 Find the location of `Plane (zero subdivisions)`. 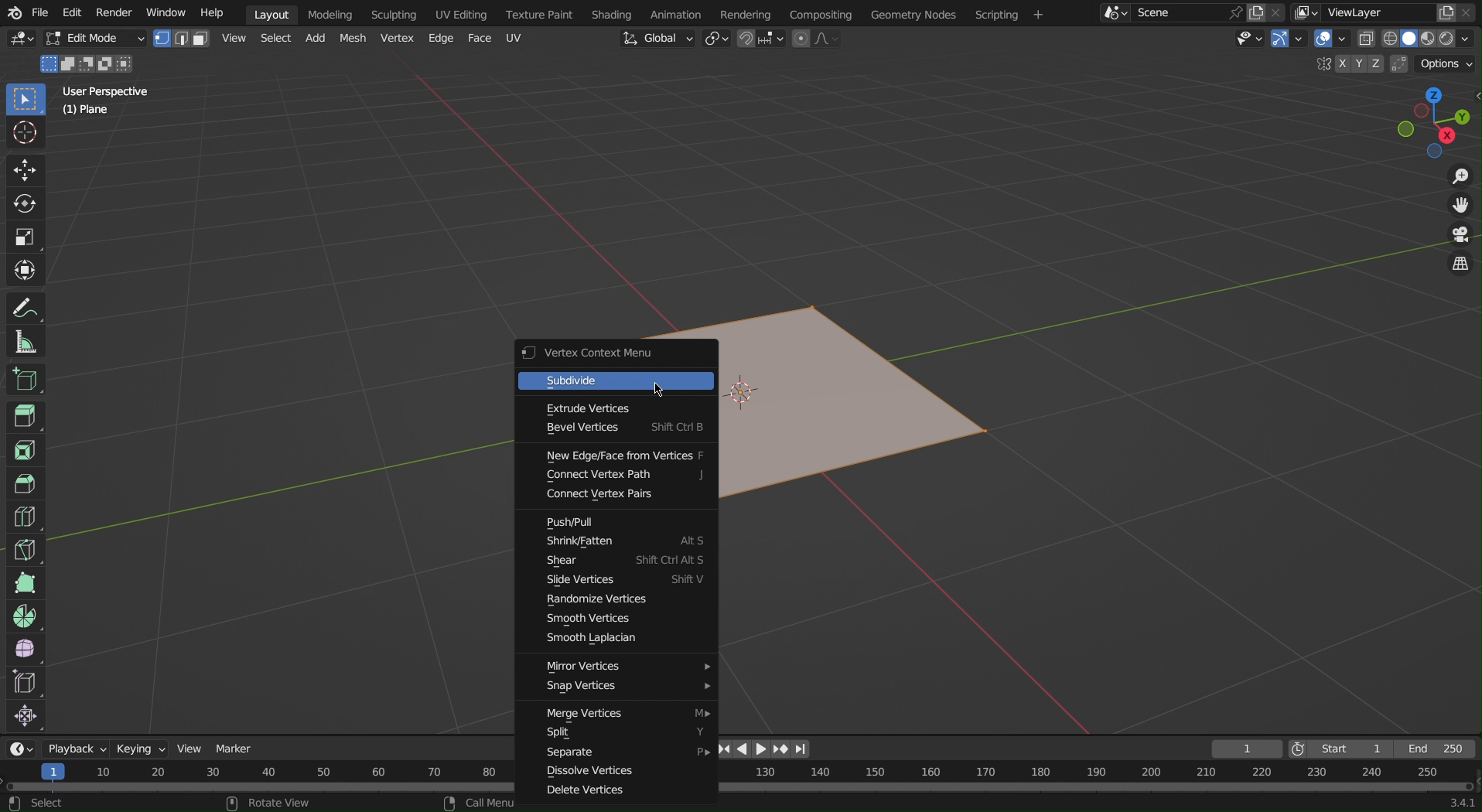

Plane (zero subdivisions) is located at coordinates (861, 414).